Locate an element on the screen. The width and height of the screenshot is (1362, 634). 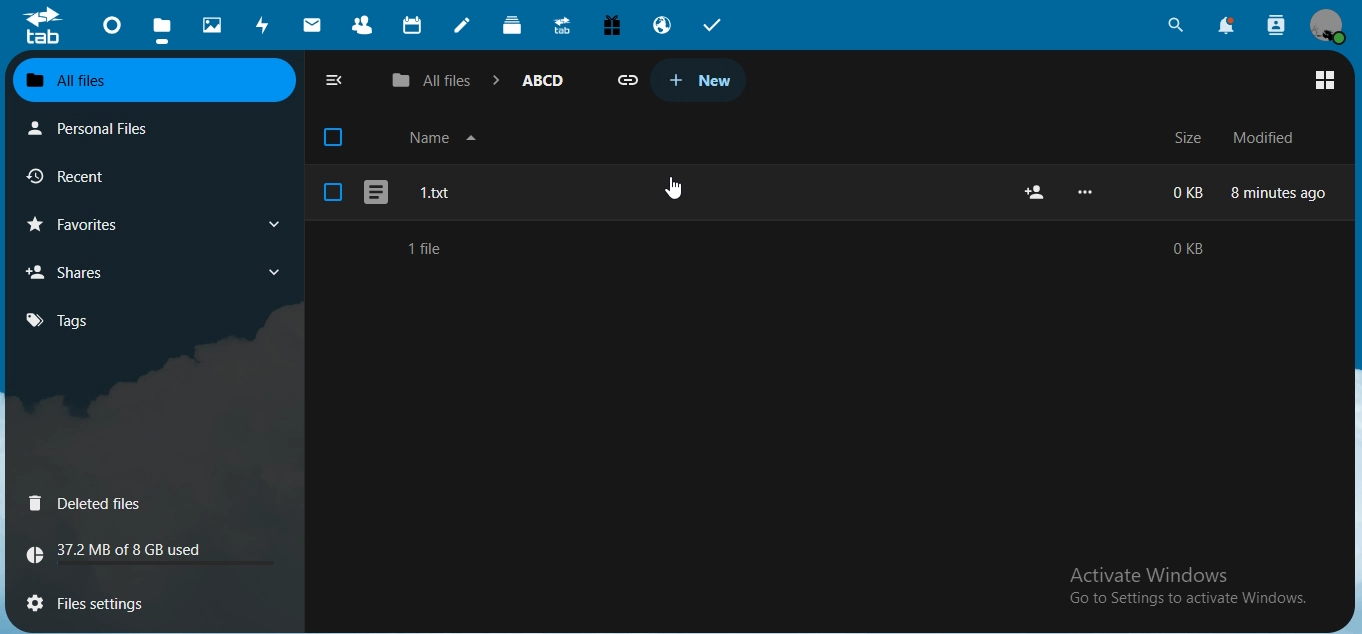
more options is located at coordinates (1088, 192).